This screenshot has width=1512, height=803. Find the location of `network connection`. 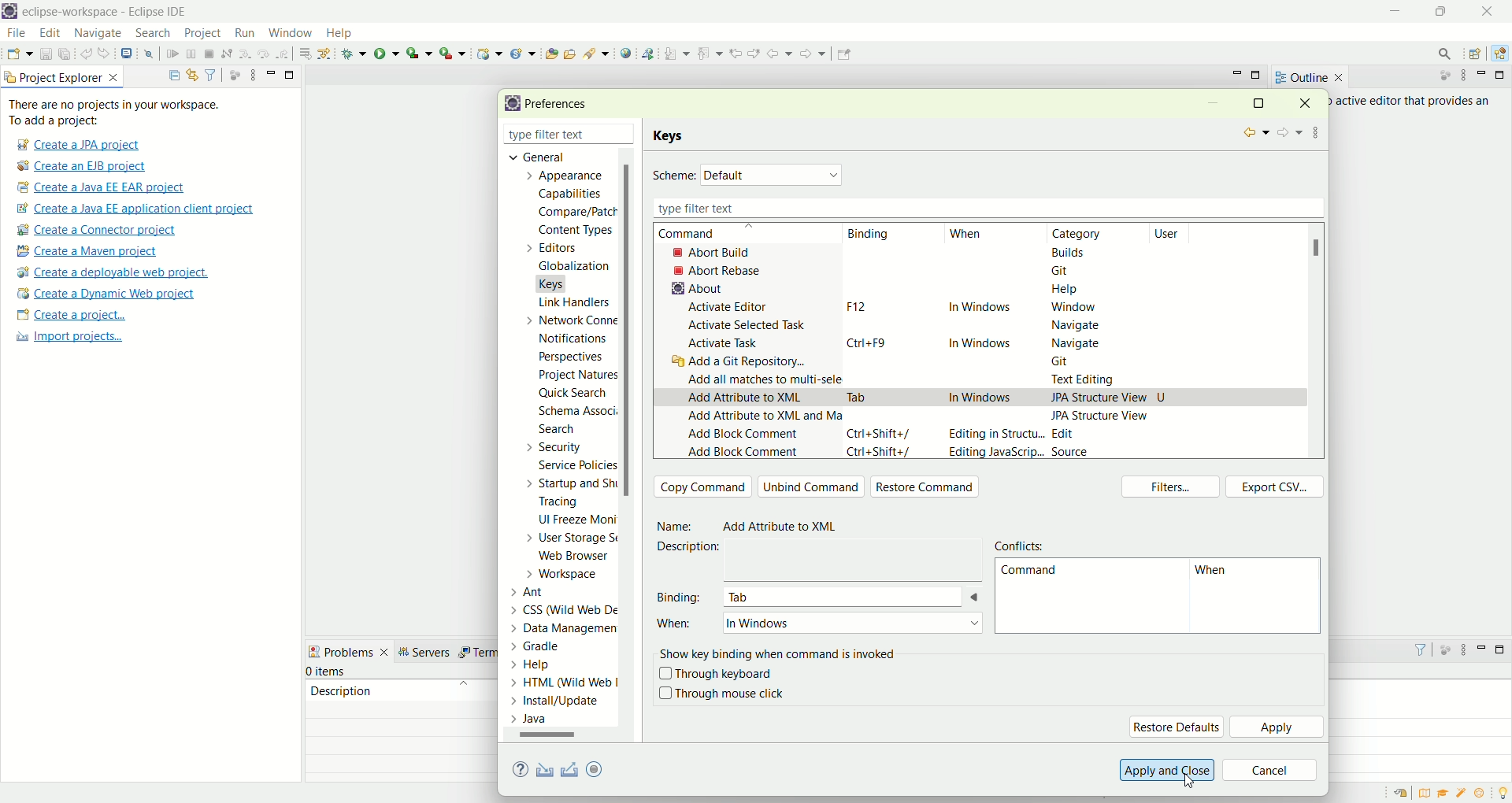

network connection is located at coordinates (568, 320).